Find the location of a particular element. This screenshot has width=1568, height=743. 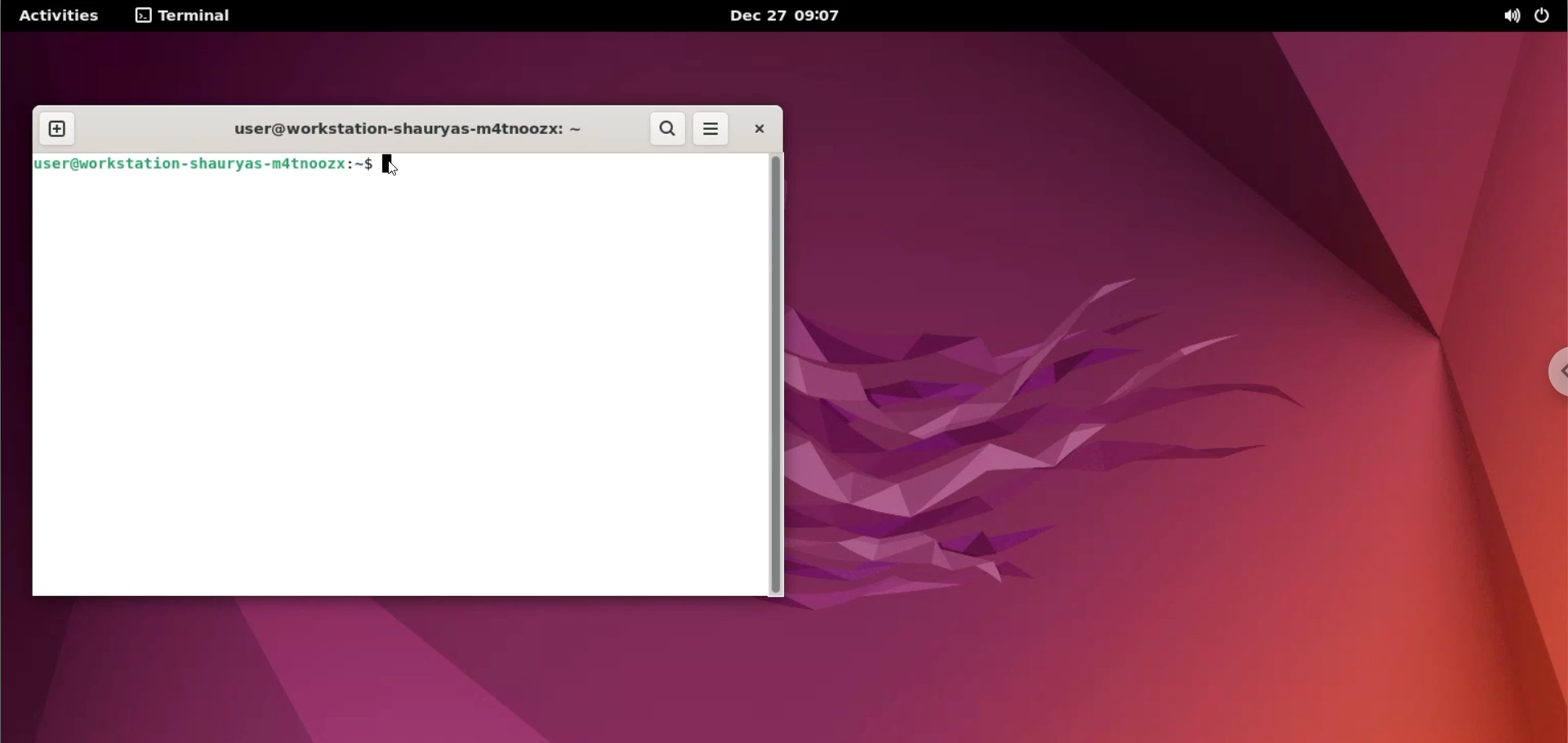

Activities is located at coordinates (60, 15).